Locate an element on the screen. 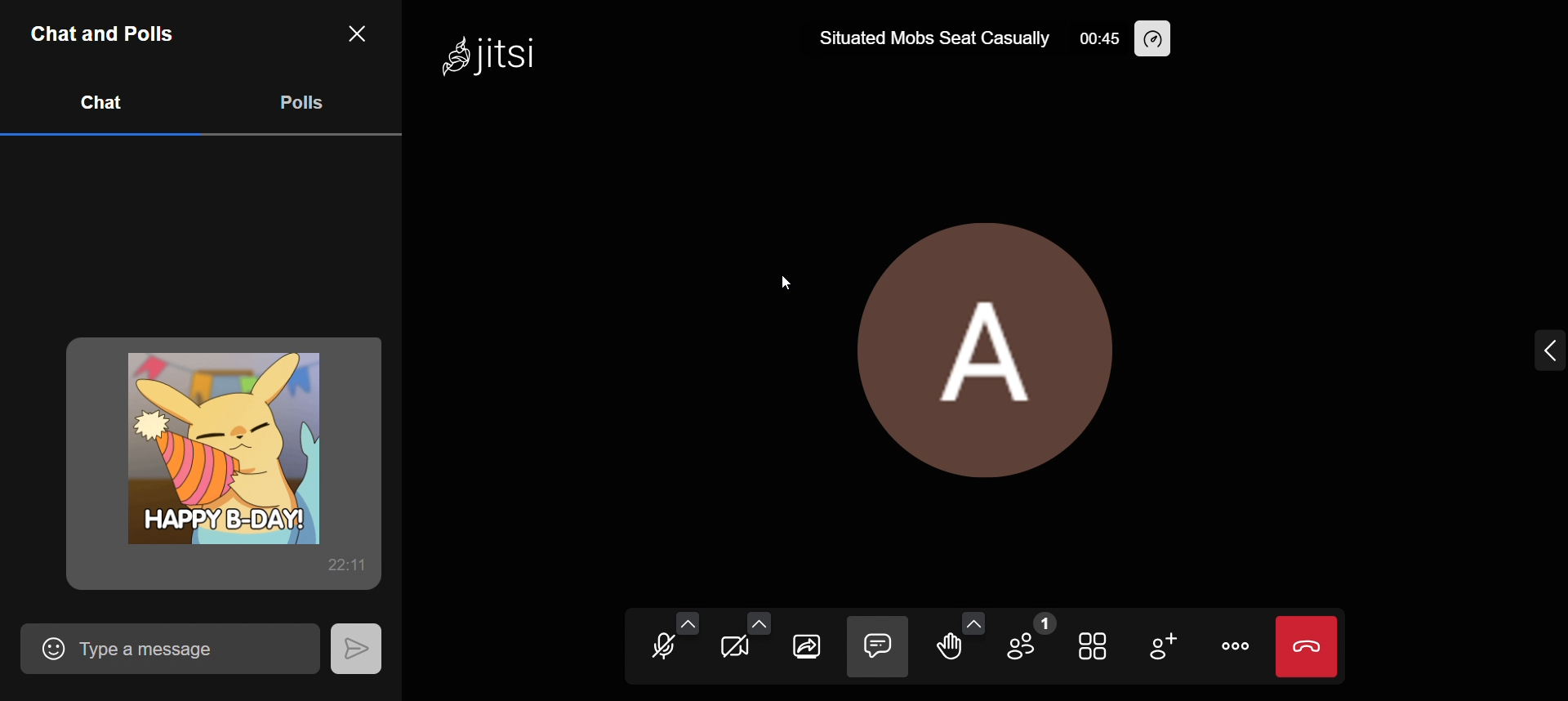  poll tab is located at coordinates (303, 101).